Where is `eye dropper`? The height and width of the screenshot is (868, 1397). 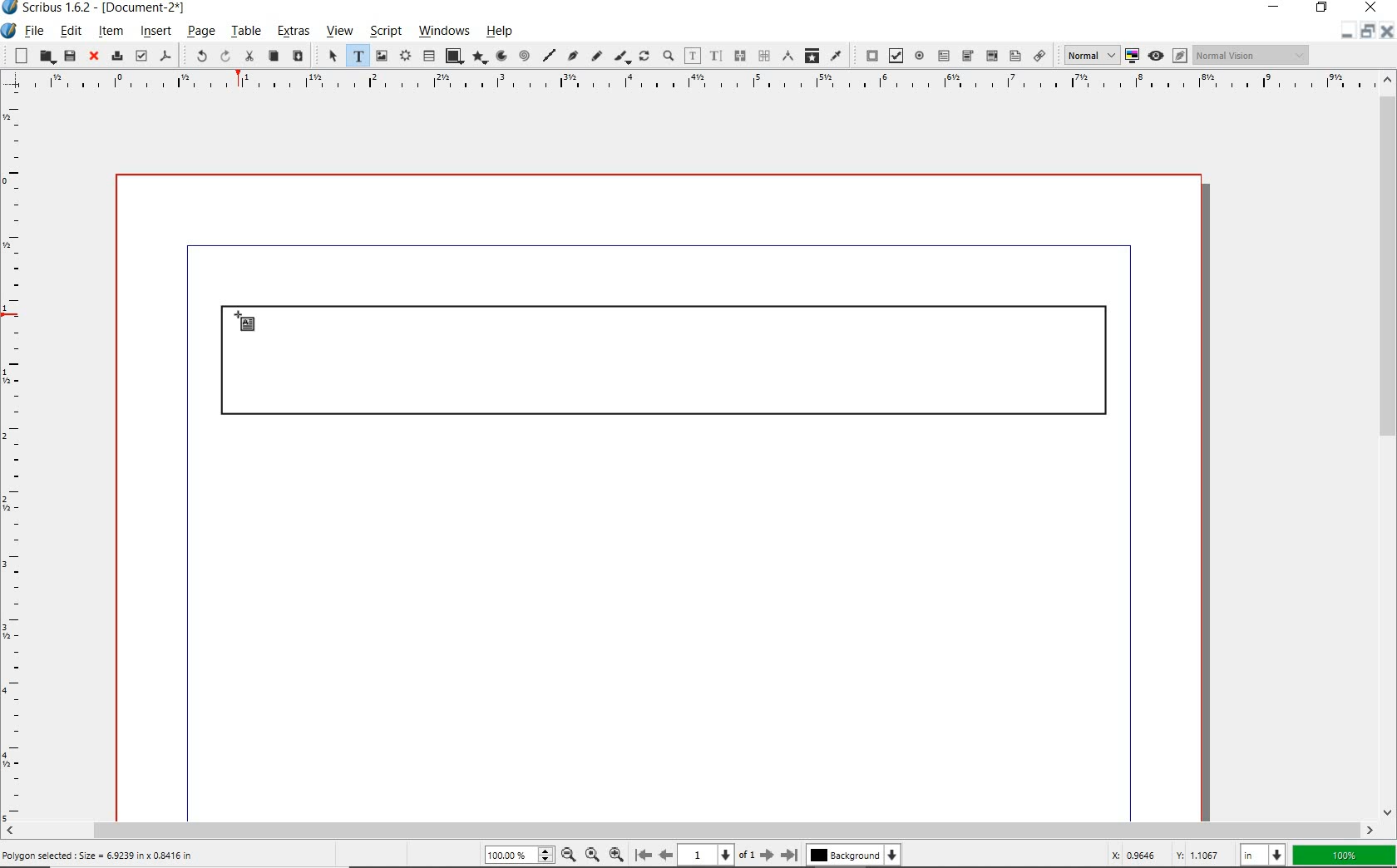
eye dropper is located at coordinates (836, 57).